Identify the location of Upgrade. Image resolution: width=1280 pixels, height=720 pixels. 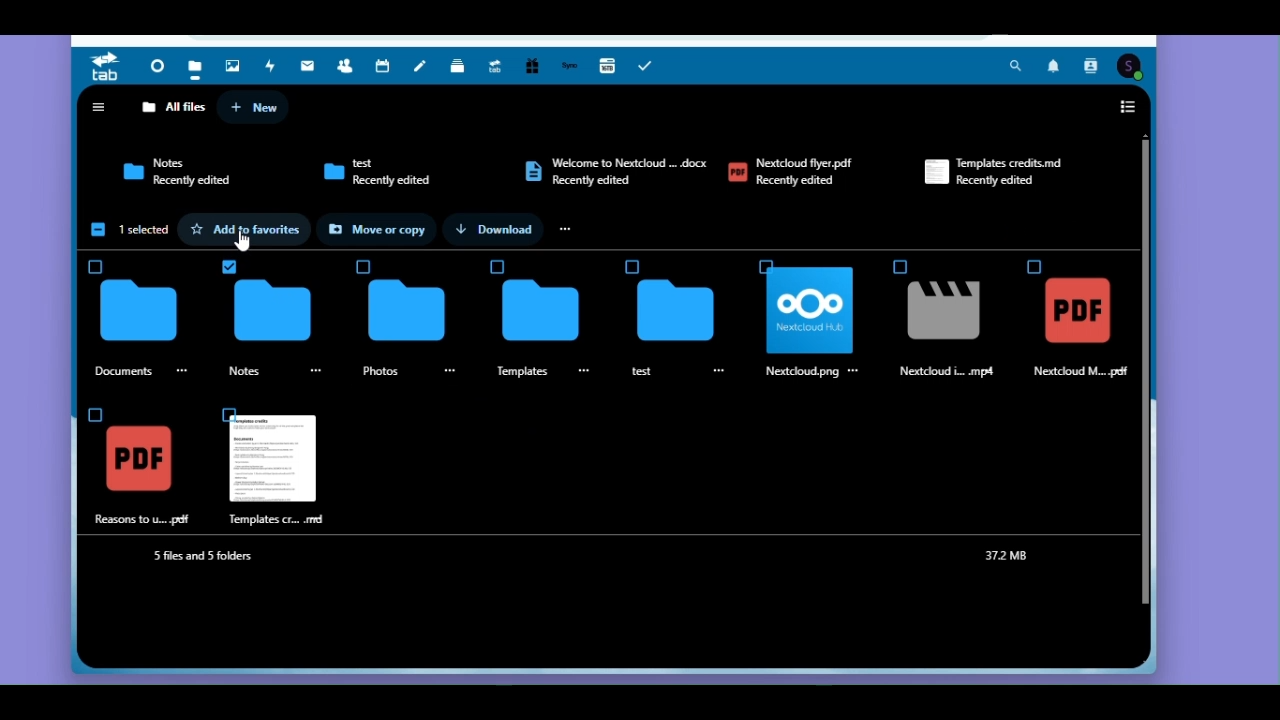
(496, 64).